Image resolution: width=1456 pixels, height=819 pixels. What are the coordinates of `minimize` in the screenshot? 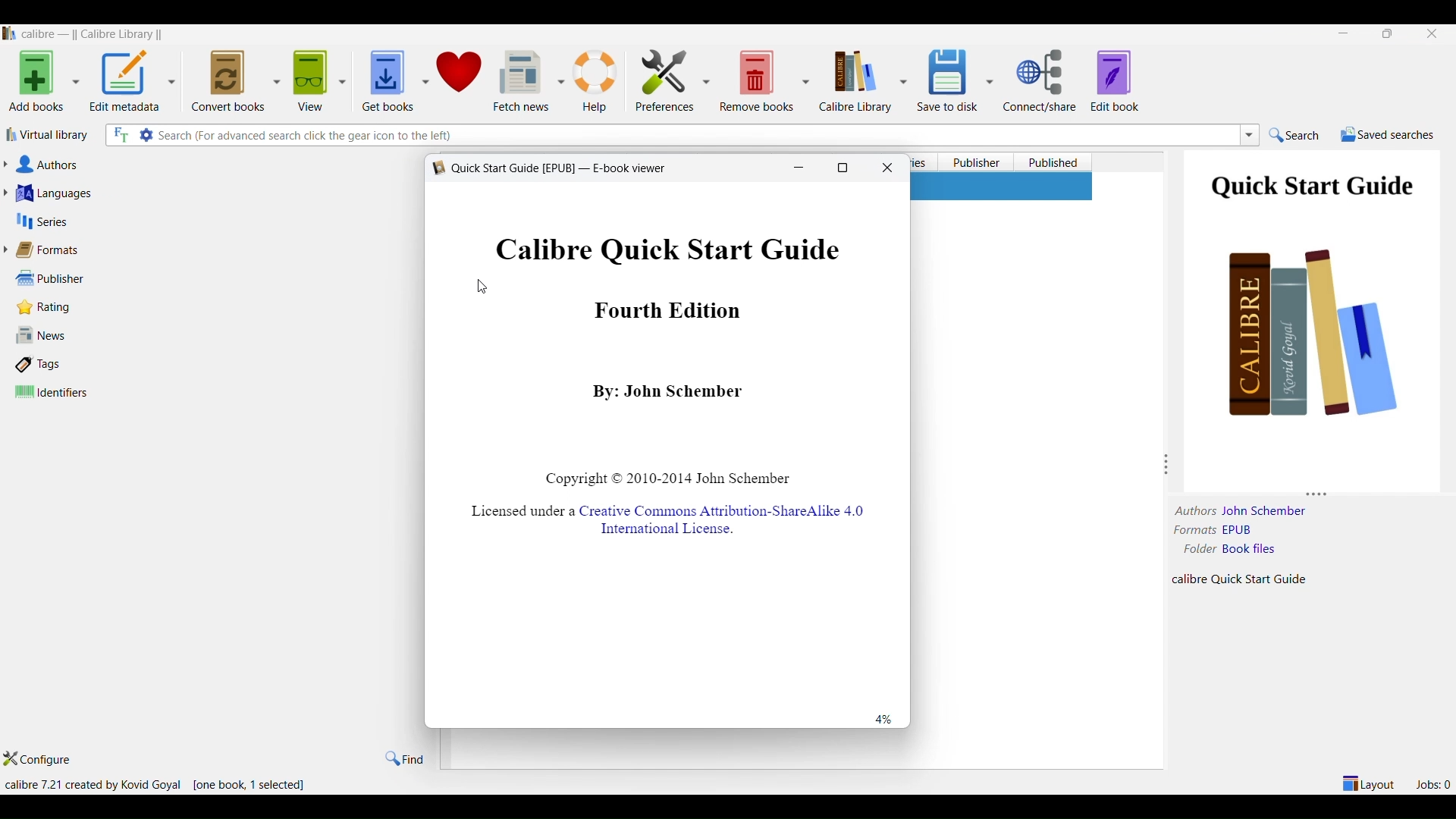 It's located at (1341, 33).